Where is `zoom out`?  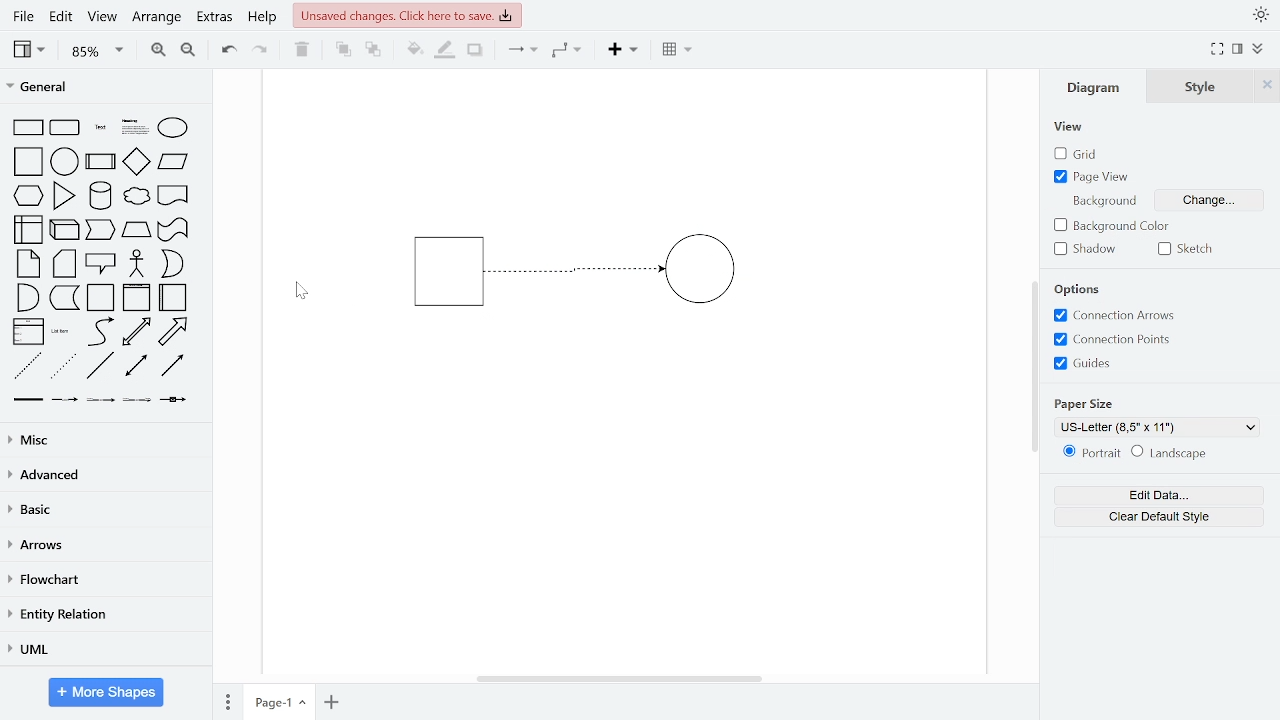
zoom out is located at coordinates (187, 49).